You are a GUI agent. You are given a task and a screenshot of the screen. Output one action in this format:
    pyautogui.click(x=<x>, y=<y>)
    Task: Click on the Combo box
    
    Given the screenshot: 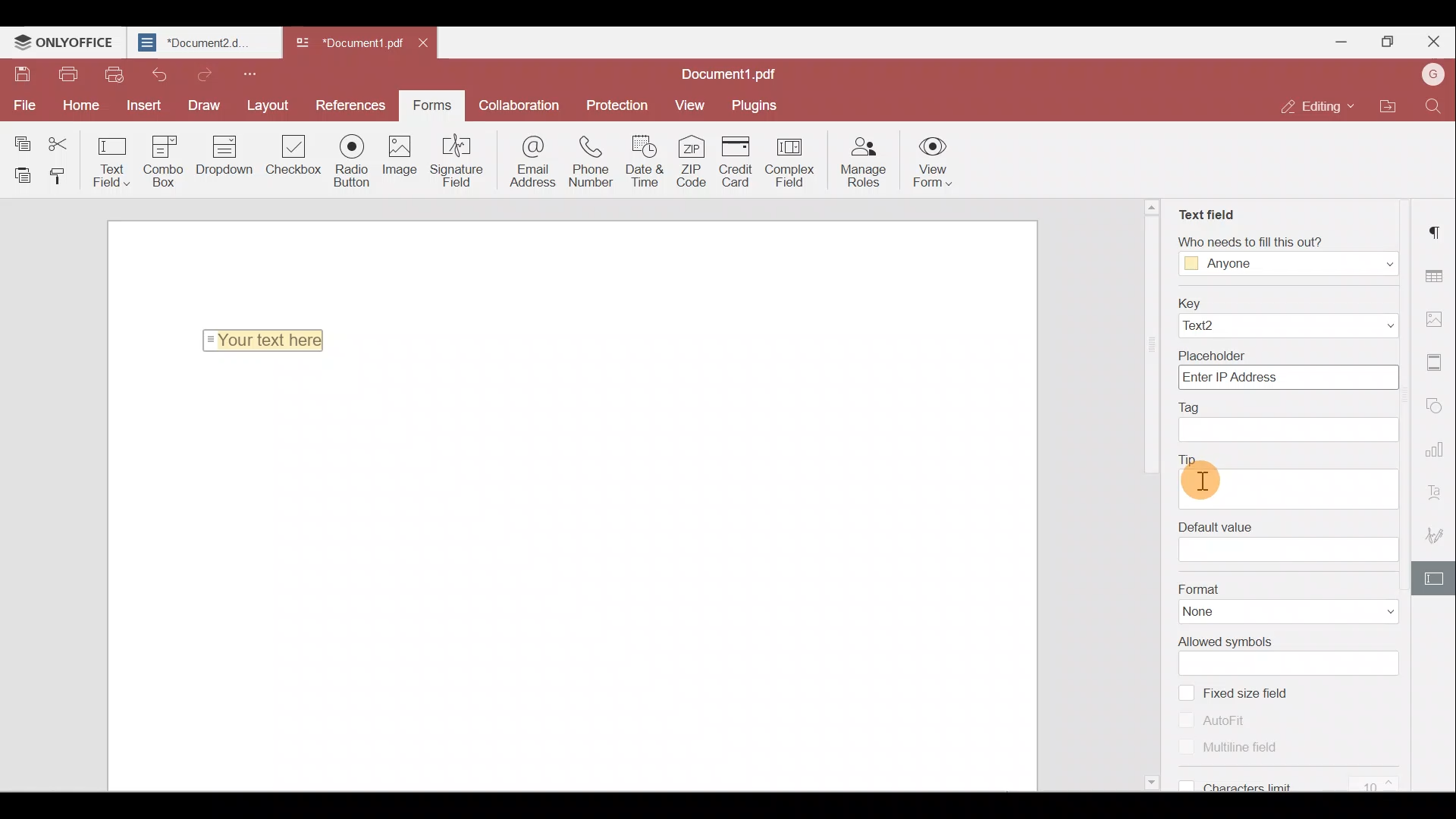 What is the action you would take?
    pyautogui.click(x=168, y=158)
    